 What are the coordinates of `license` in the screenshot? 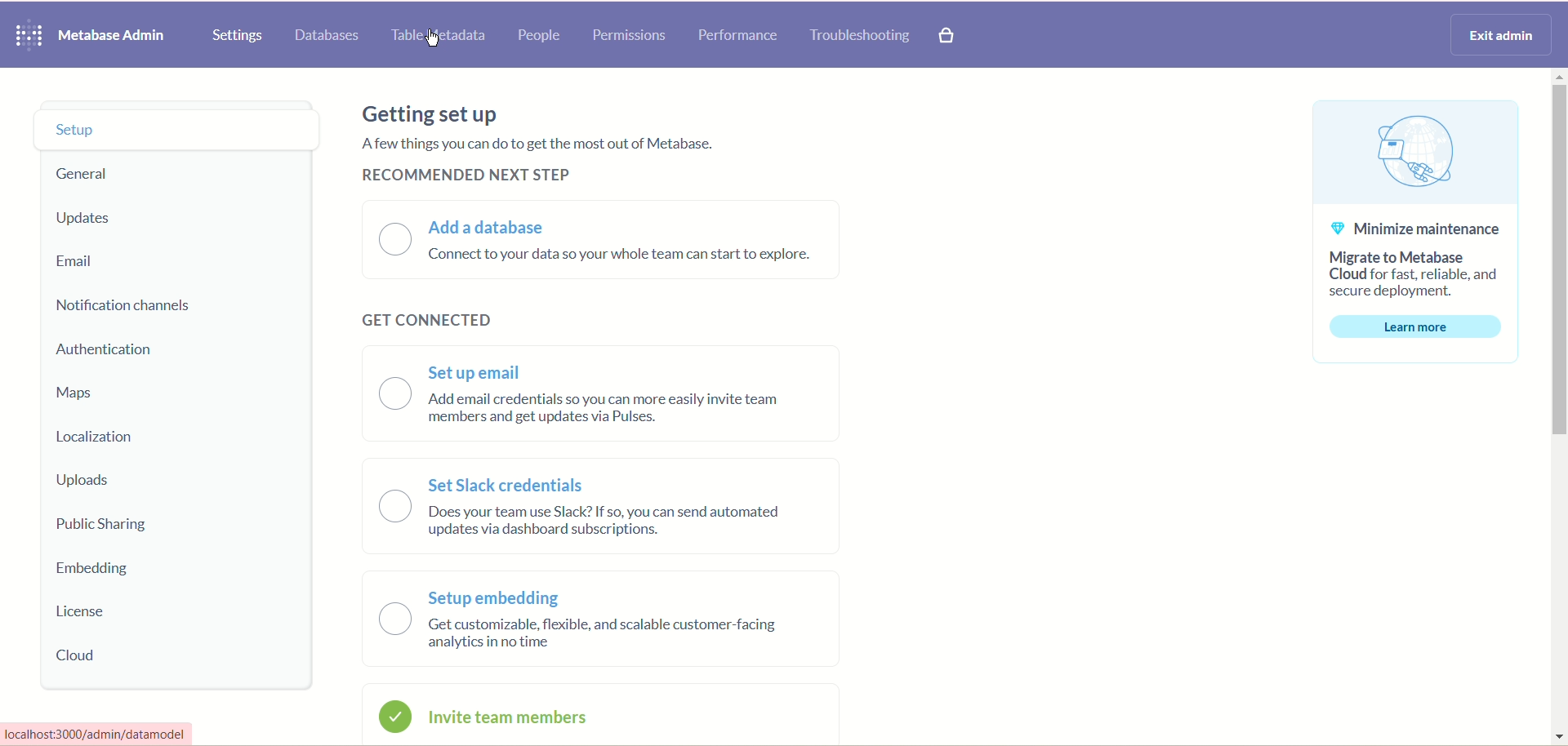 It's located at (87, 613).